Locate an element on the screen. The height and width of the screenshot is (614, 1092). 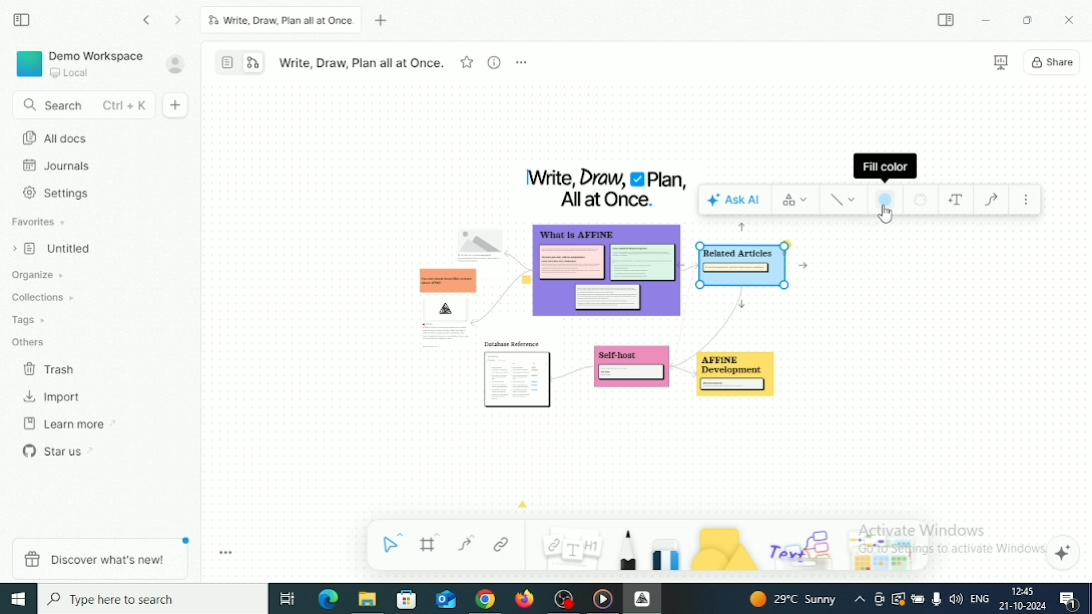
Speakers is located at coordinates (956, 598).